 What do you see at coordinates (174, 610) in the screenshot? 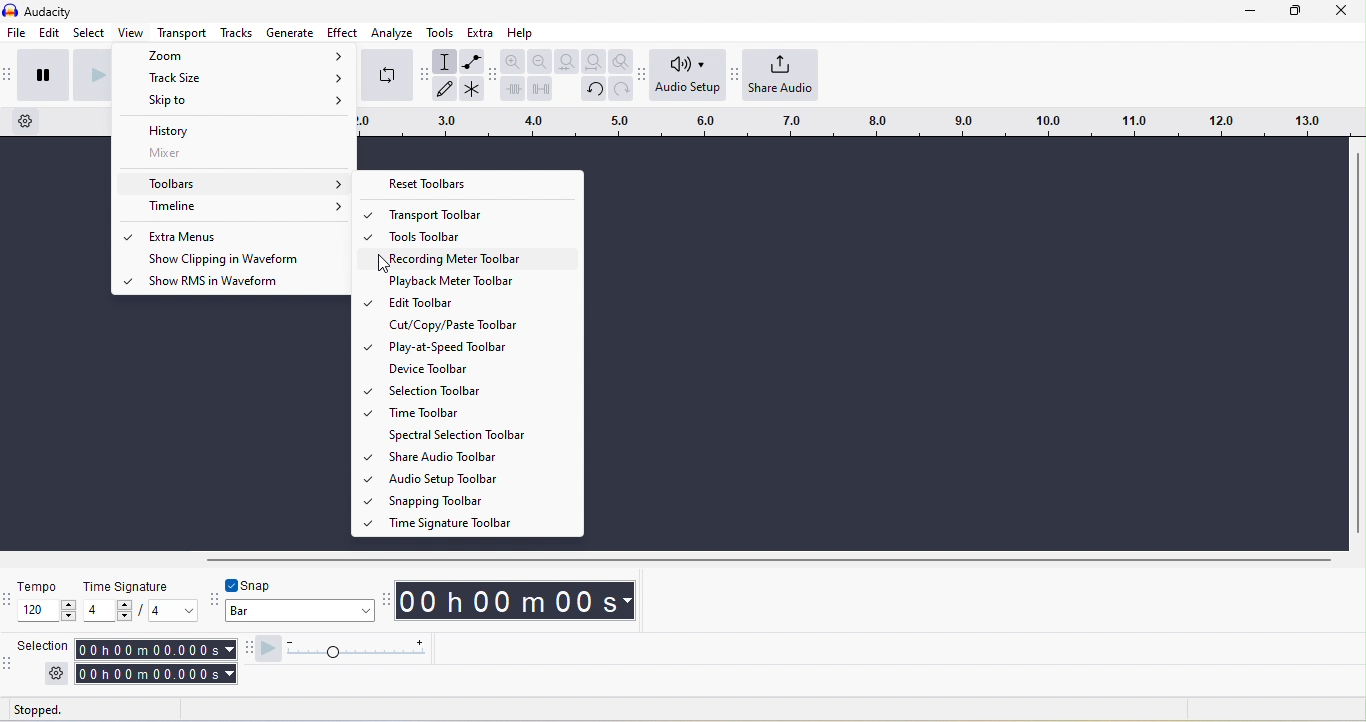
I see `set time signature` at bounding box center [174, 610].